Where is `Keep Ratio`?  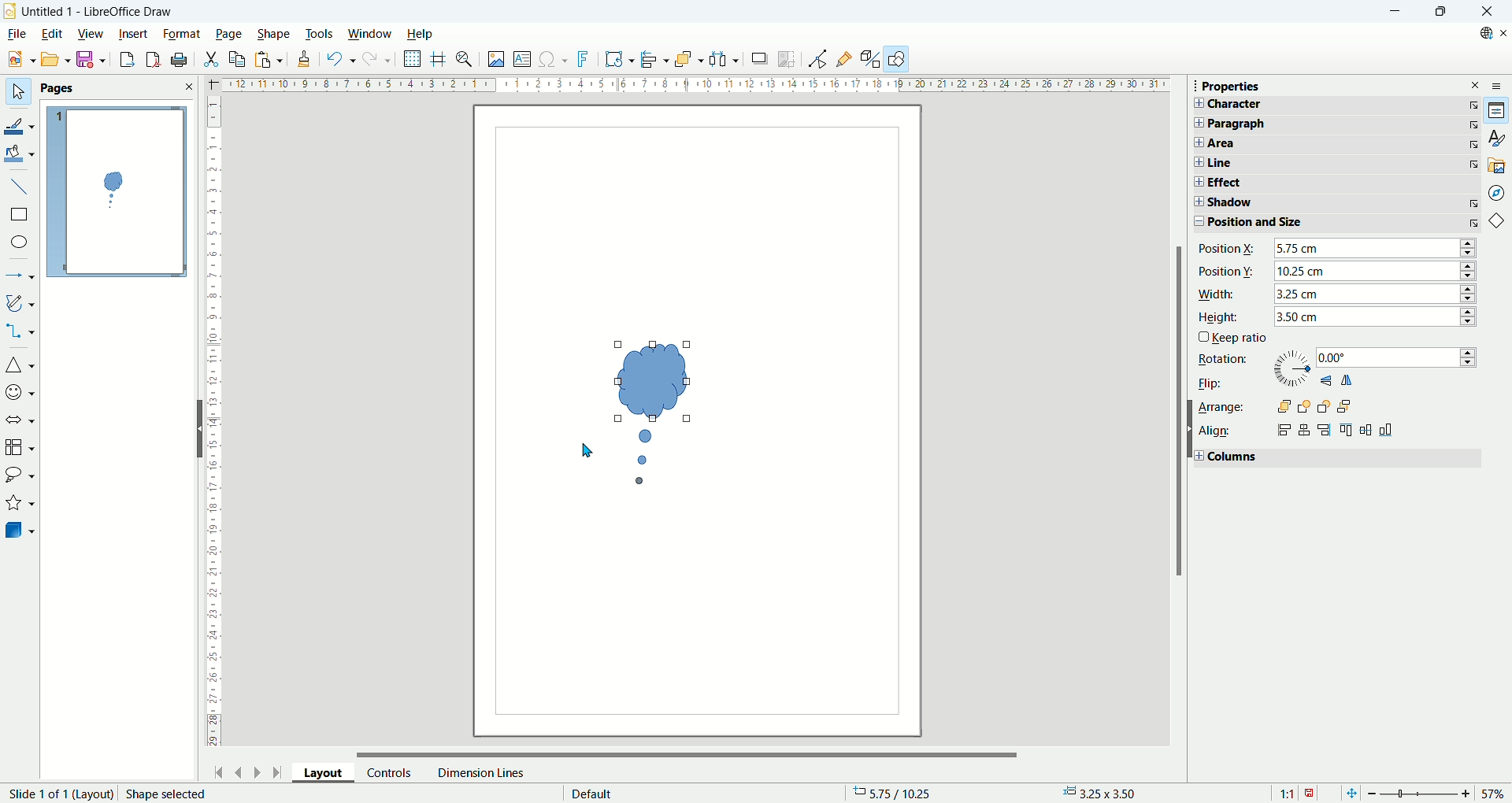
Keep Ratio is located at coordinates (1240, 338).